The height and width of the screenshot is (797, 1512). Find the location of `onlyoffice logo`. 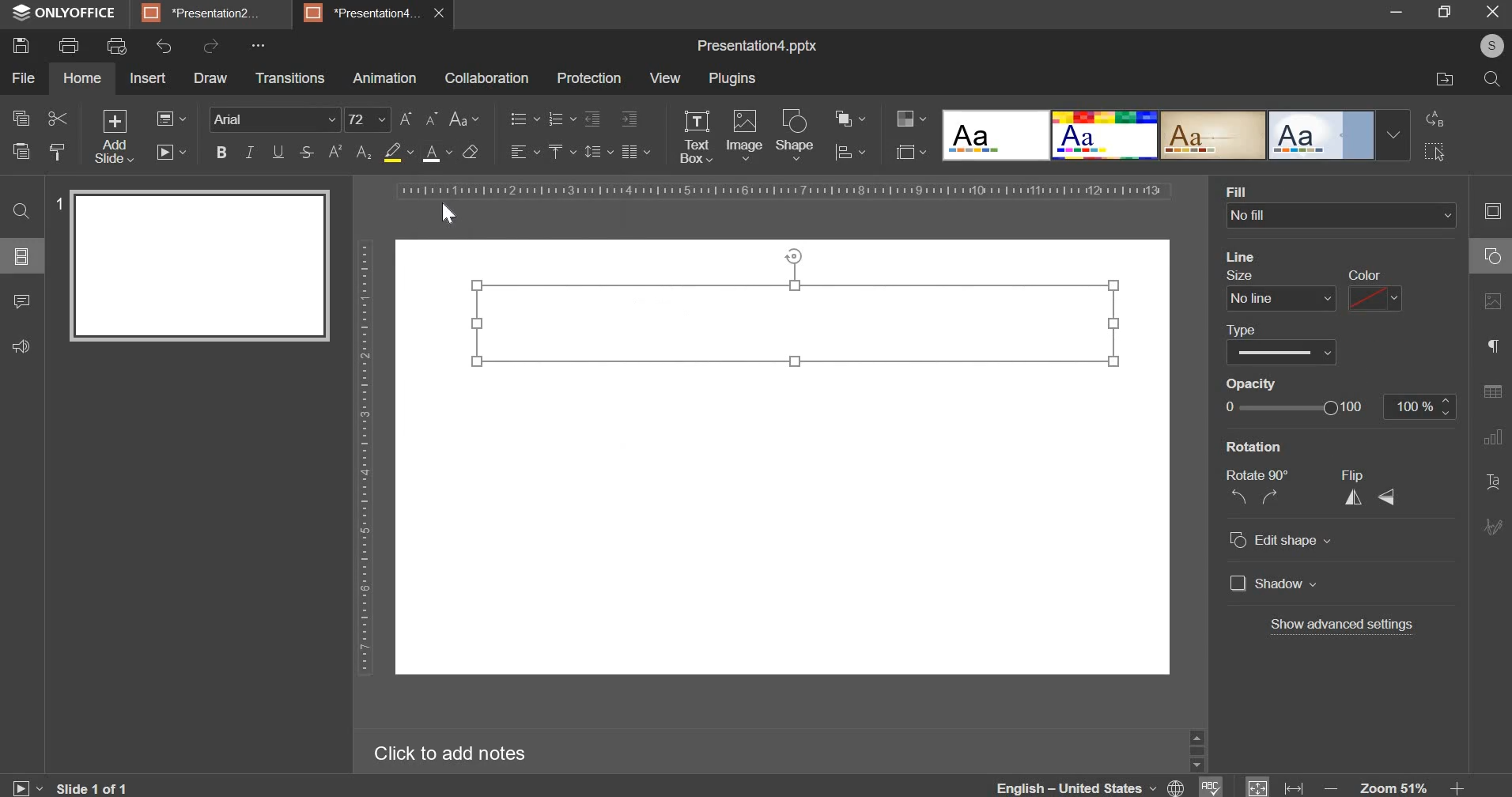

onlyoffice logo is located at coordinates (21, 13).